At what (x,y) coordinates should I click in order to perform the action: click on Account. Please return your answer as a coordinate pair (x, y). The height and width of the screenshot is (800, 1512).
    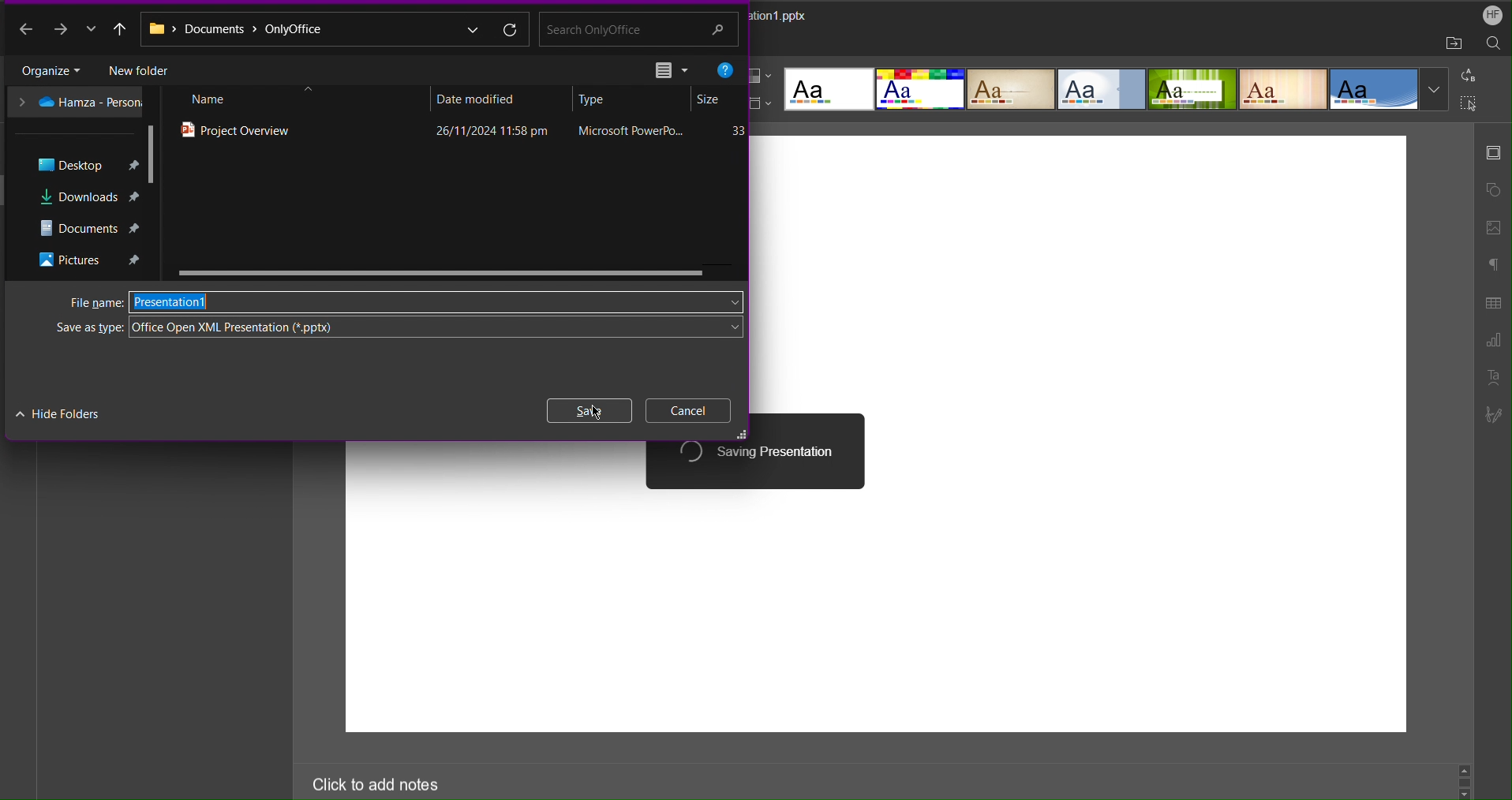
    Looking at the image, I should click on (1494, 15).